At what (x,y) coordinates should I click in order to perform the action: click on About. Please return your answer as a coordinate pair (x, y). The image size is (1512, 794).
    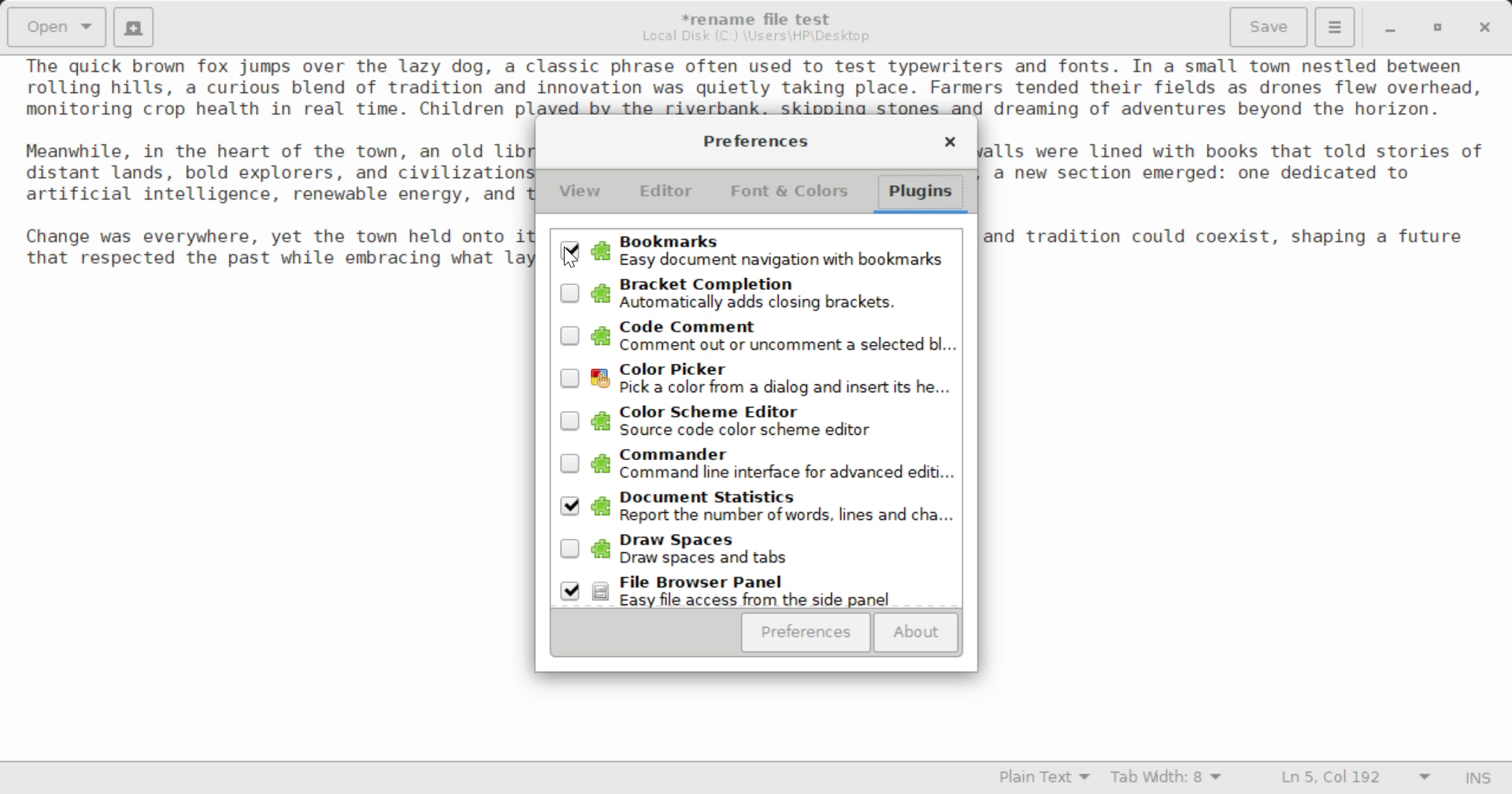
    Looking at the image, I should click on (913, 633).